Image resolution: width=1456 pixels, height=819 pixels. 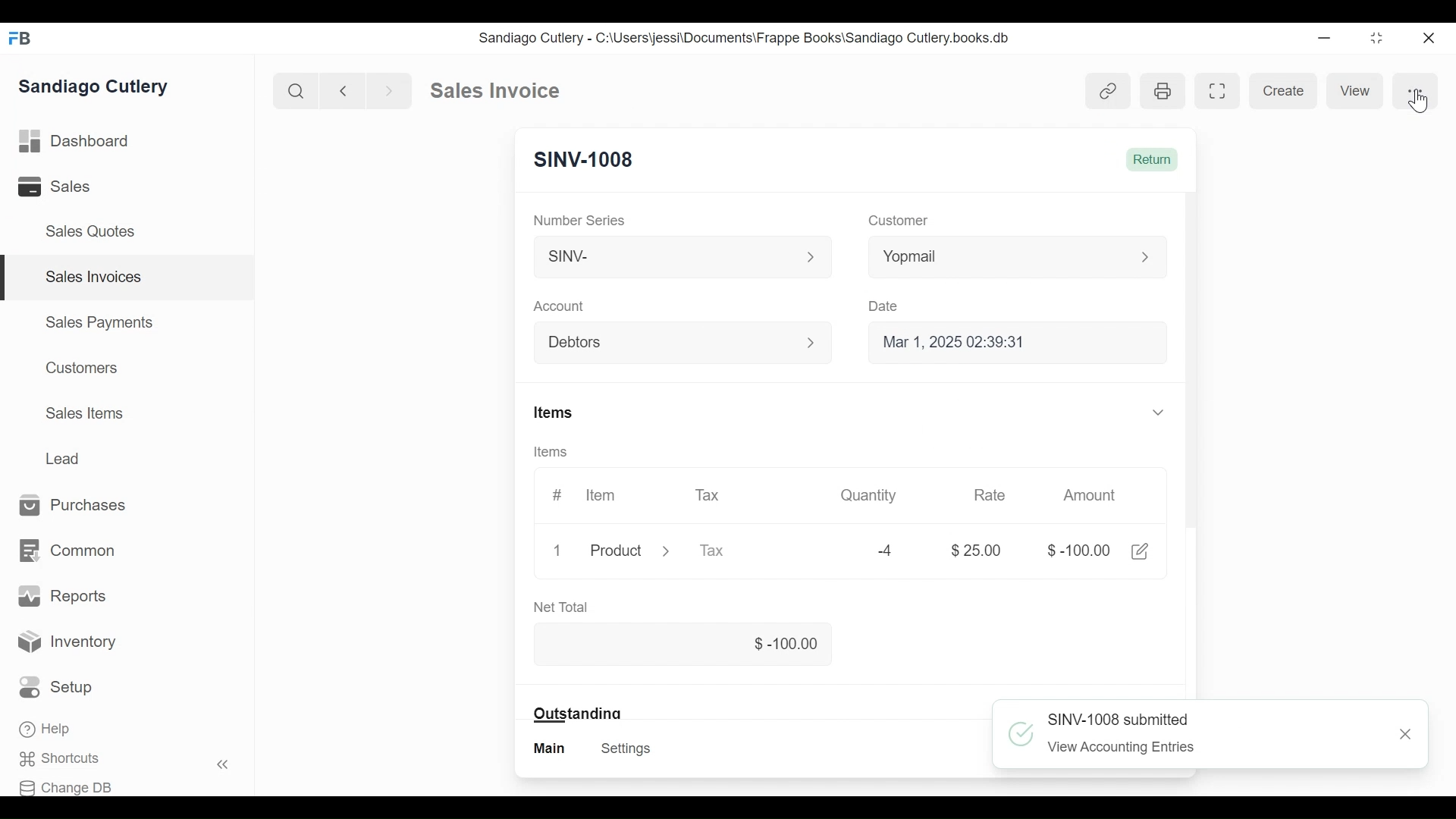 I want to click on Number Series, so click(x=579, y=219).